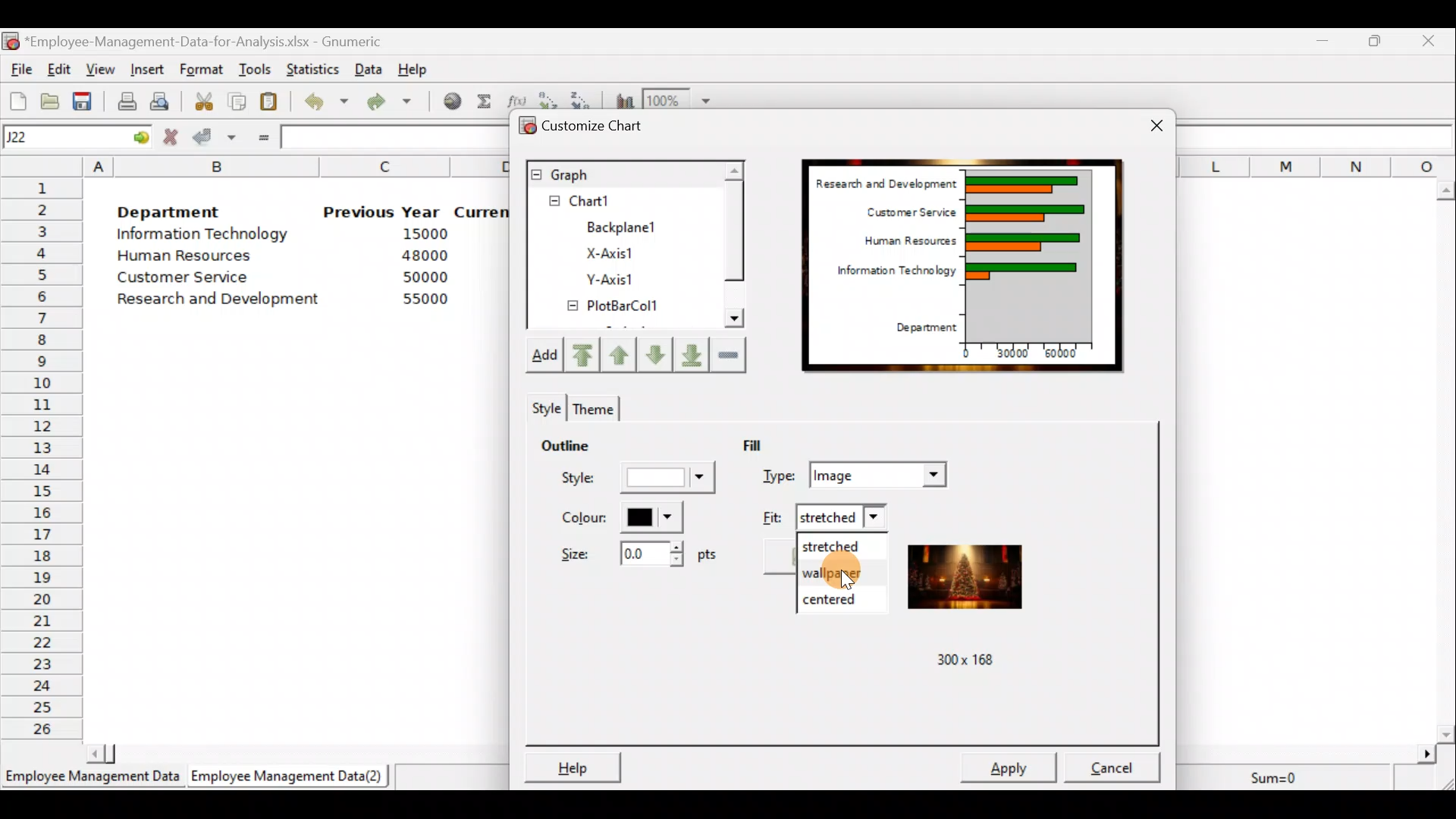 This screenshot has height=819, width=1456. What do you see at coordinates (314, 65) in the screenshot?
I see `Statistics` at bounding box center [314, 65].